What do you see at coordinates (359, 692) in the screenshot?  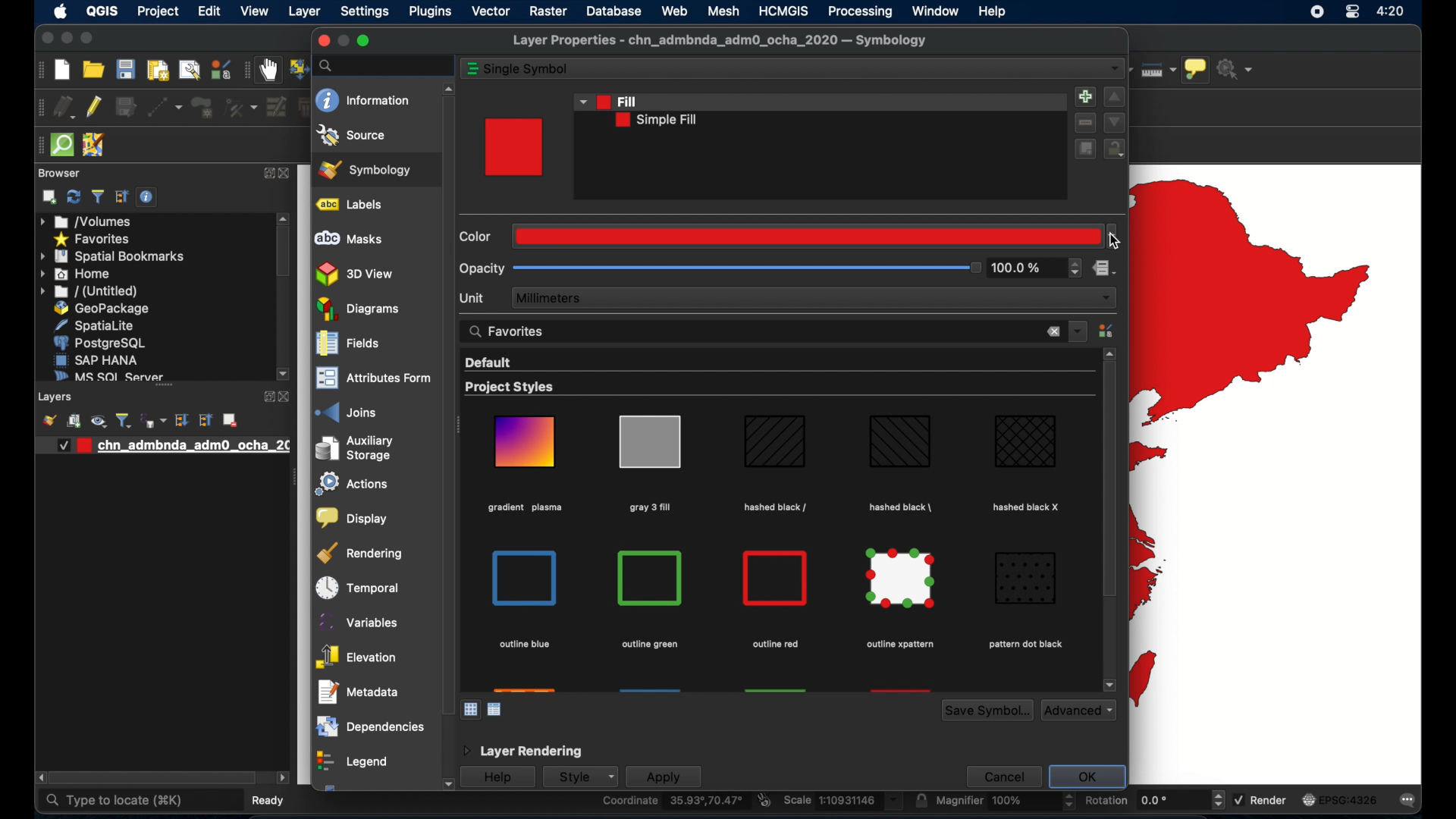 I see `metadata` at bounding box center [359, 692].